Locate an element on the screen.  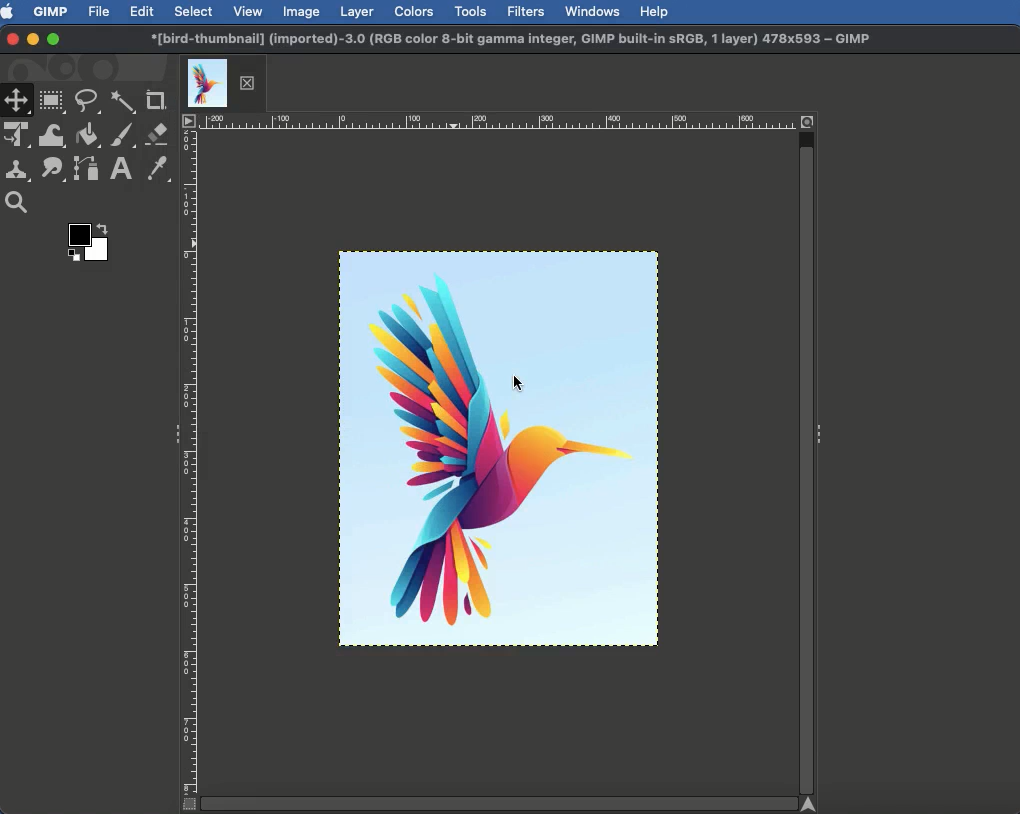
Scroll is located at coordinates (808, 459).